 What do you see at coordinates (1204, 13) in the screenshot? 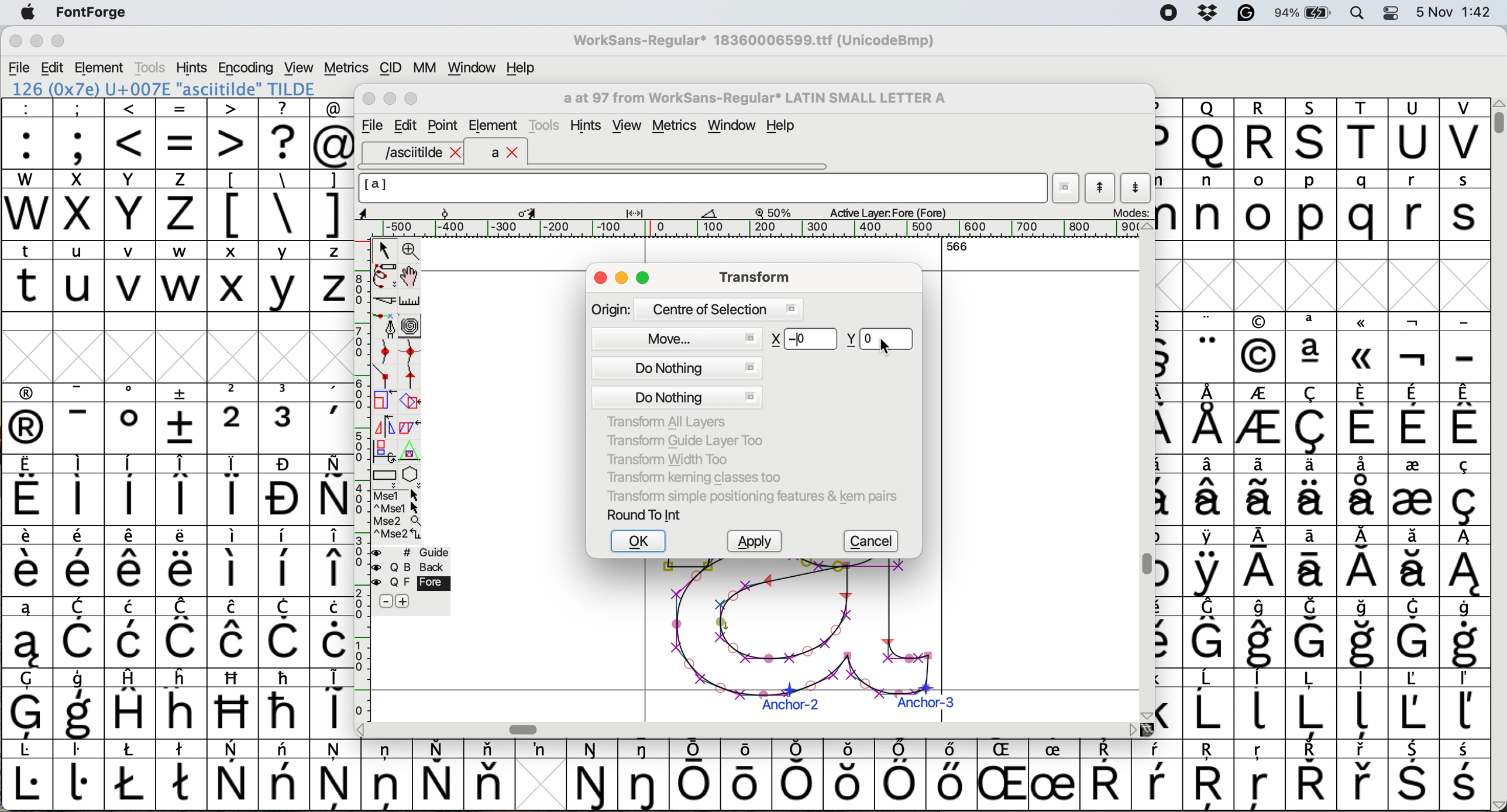
I see `dropbox` at bounding box center [1204, 13].